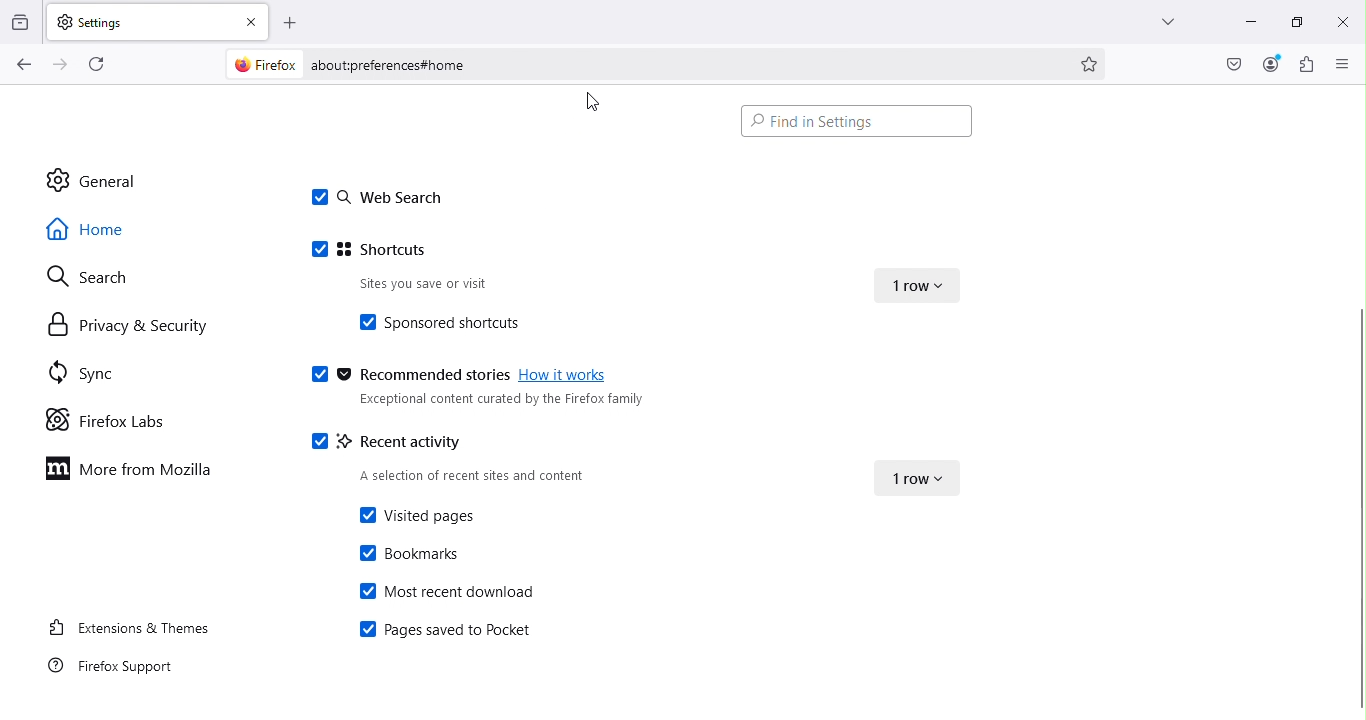 The width and height of the screenshot is (1366, 720). Describe the element at coordinates (380, 251) in the screenshot. I see `Shortcuts` at that location.